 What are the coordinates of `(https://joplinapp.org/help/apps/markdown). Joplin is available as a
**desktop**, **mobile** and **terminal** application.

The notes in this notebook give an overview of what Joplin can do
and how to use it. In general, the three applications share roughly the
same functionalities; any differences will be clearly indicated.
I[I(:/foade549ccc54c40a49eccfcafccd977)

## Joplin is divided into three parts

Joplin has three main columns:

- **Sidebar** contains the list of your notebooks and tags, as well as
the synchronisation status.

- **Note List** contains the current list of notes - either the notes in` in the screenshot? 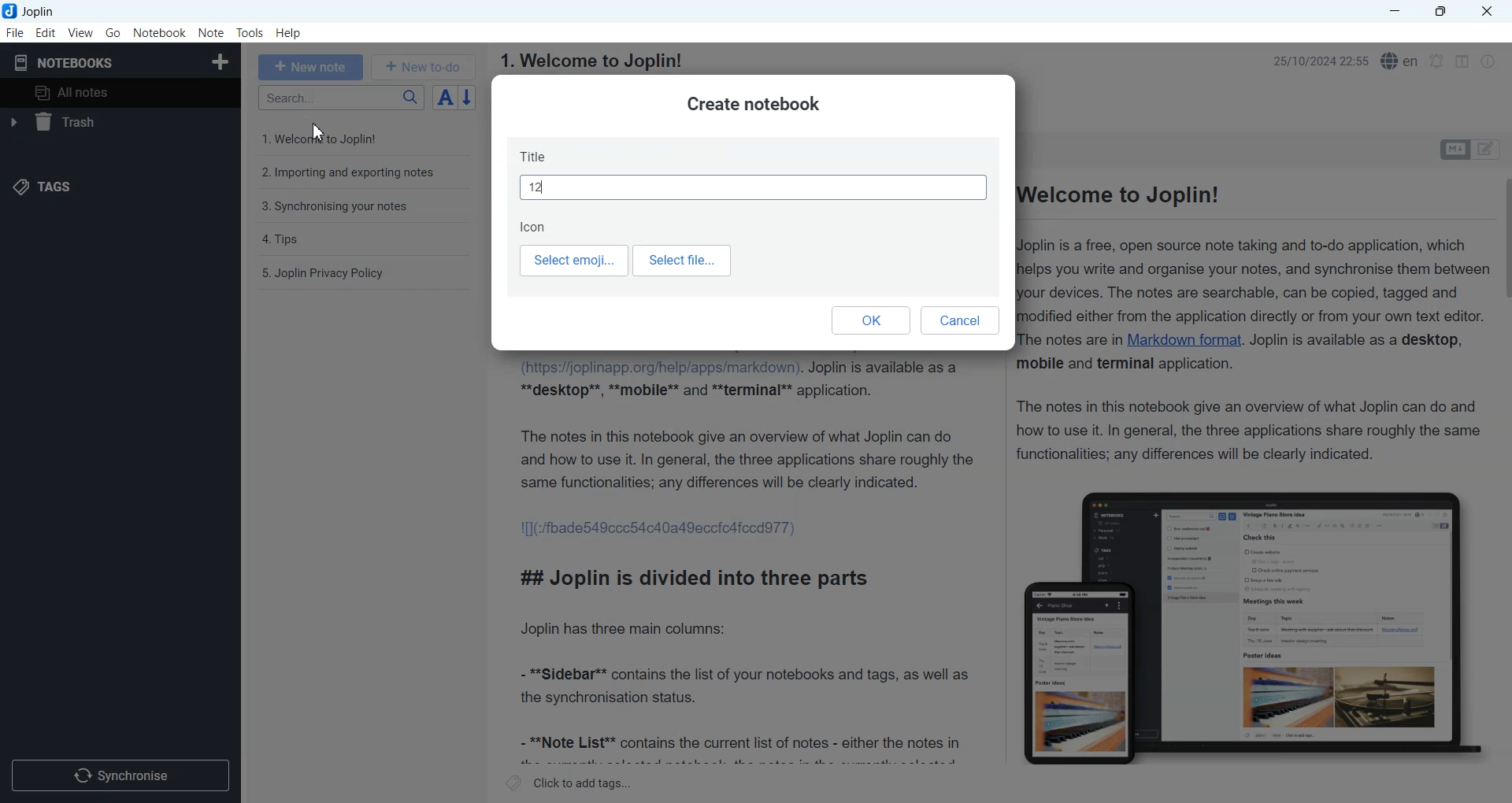 It's located at (747, 561).